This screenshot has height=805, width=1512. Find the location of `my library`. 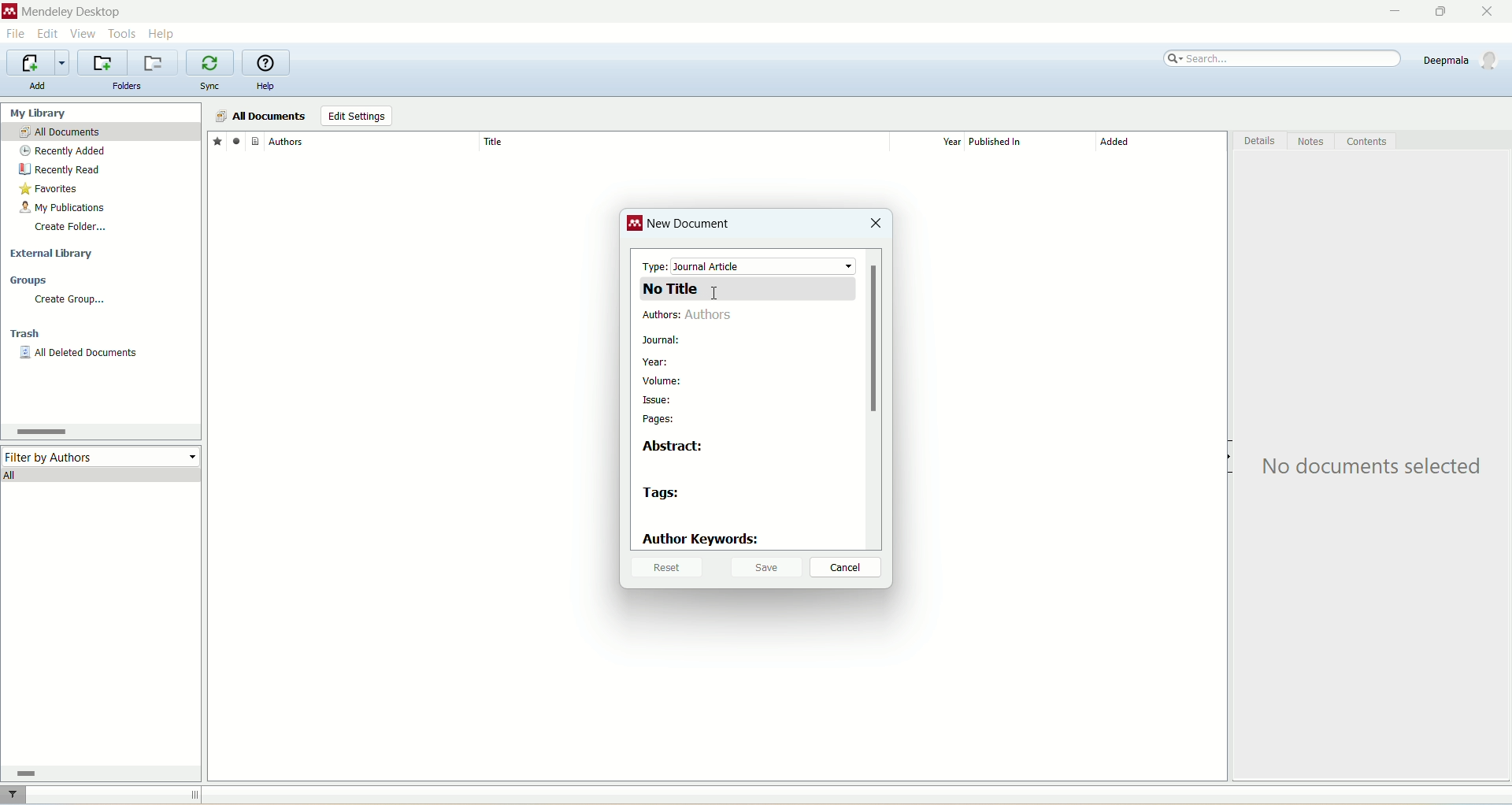

my library is located at coordinates (40, 113).